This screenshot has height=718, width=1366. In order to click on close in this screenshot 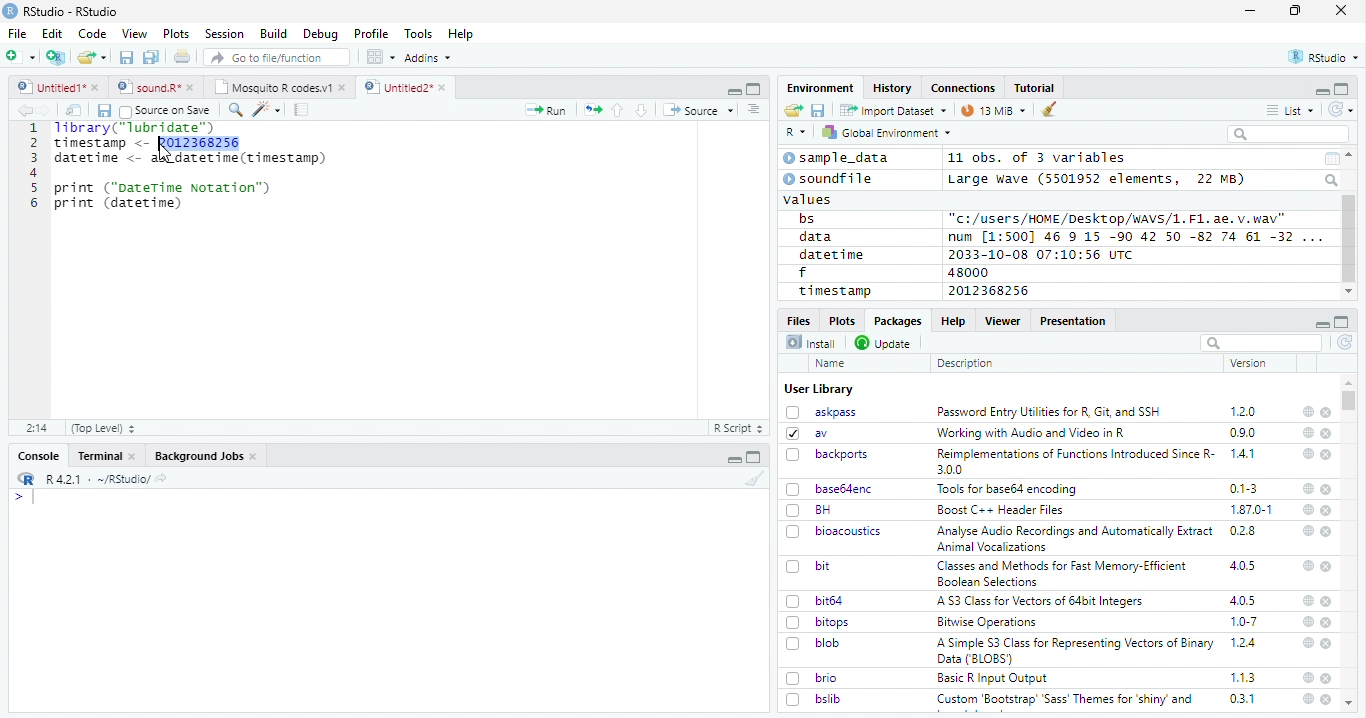, I will do `click(1327, 678)`.